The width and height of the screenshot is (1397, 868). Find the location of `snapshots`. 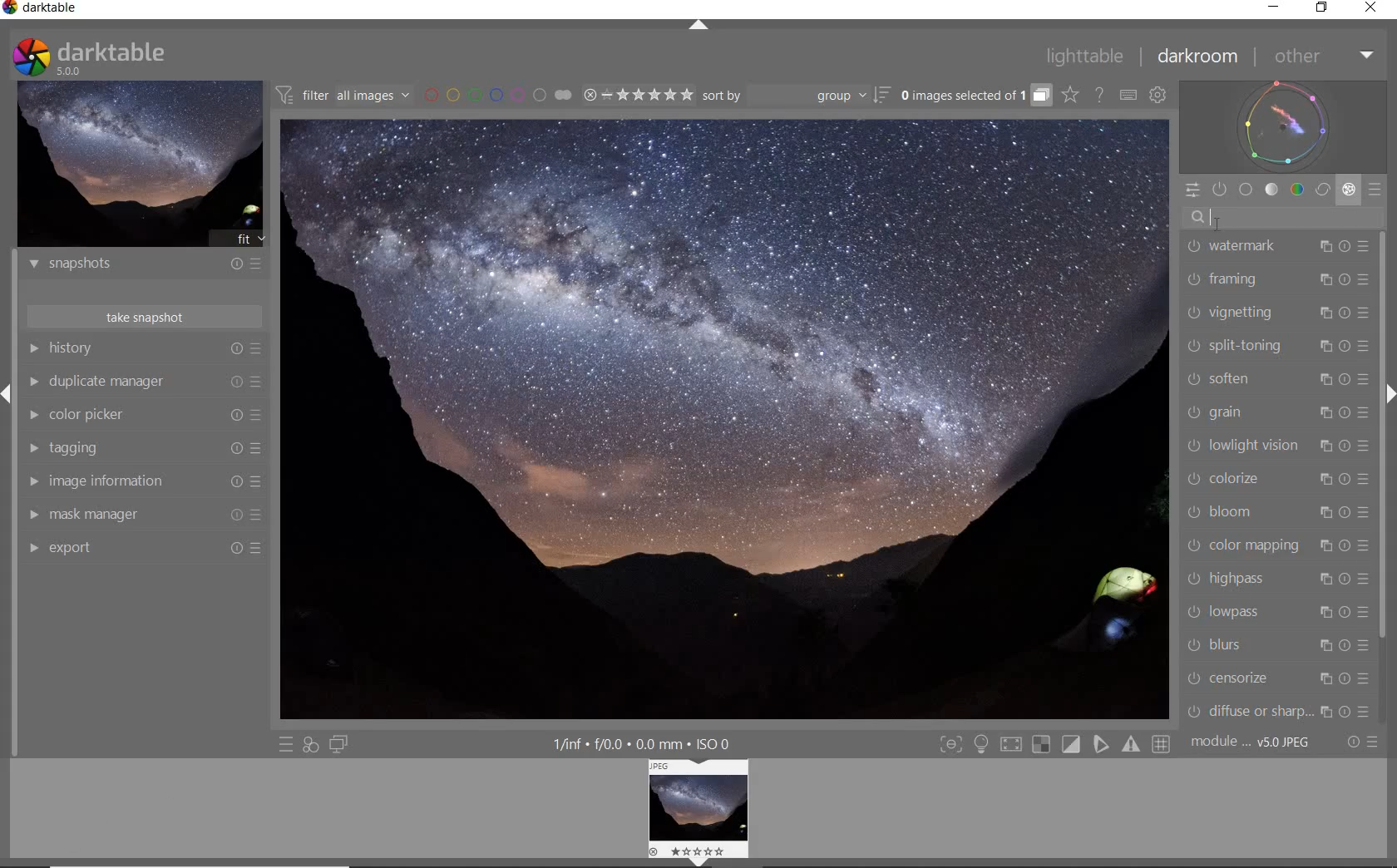

snapshots is located at coordinates (111, 263).